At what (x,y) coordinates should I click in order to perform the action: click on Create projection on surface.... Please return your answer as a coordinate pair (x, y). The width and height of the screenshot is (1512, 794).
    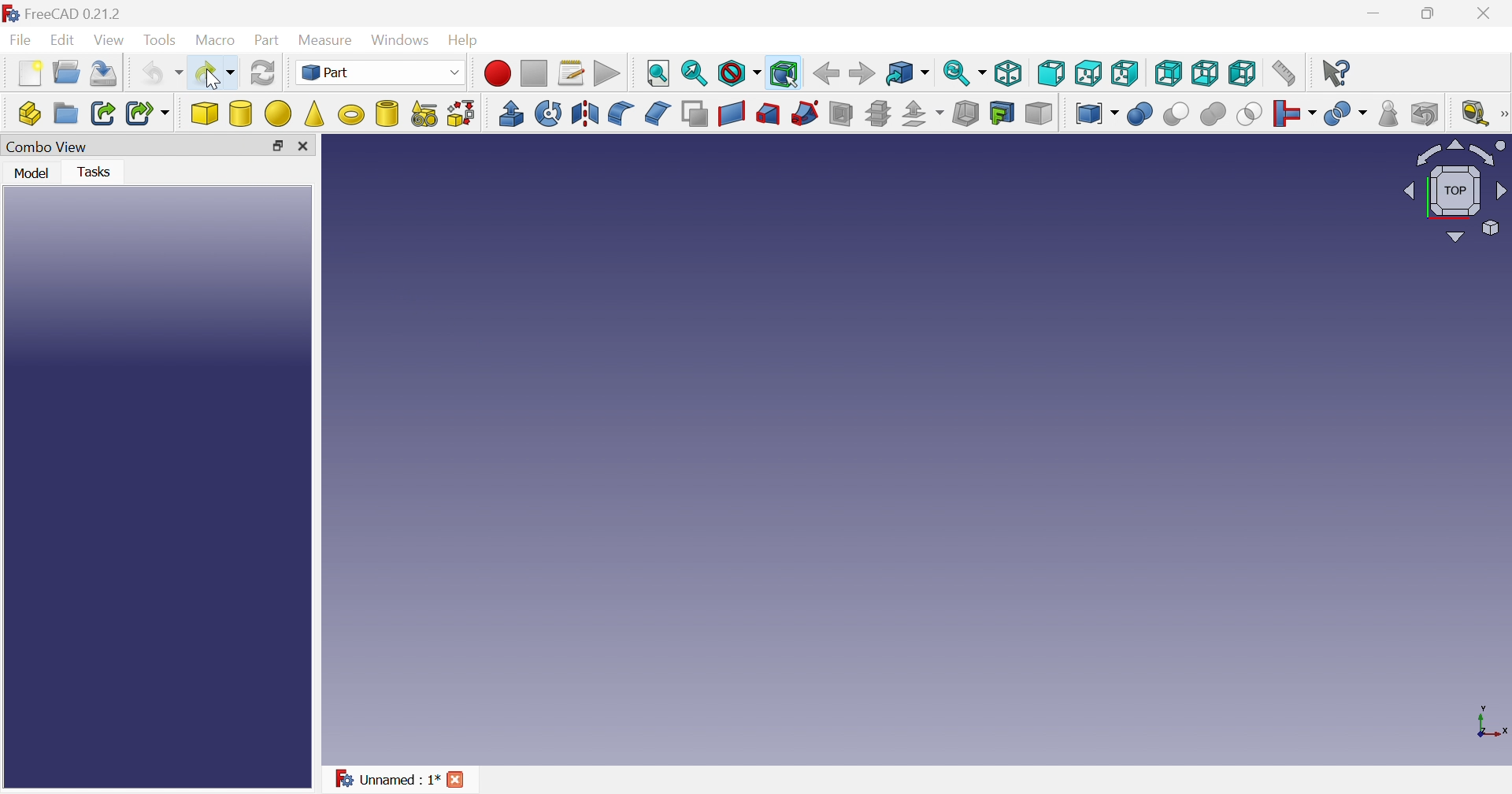
    Looking at the image, I should click on (1002, 113).